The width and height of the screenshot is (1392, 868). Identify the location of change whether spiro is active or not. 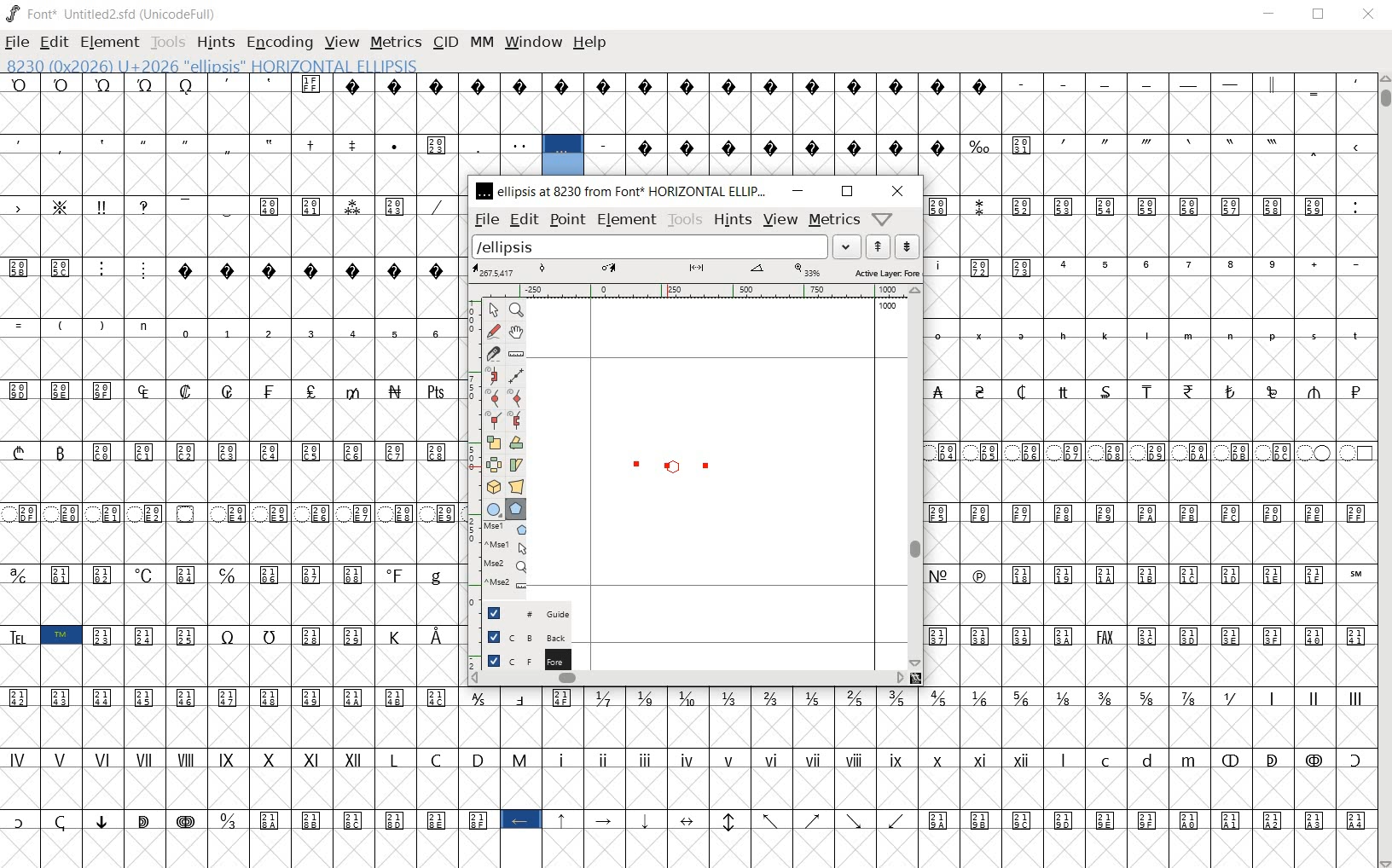
(514, 373).